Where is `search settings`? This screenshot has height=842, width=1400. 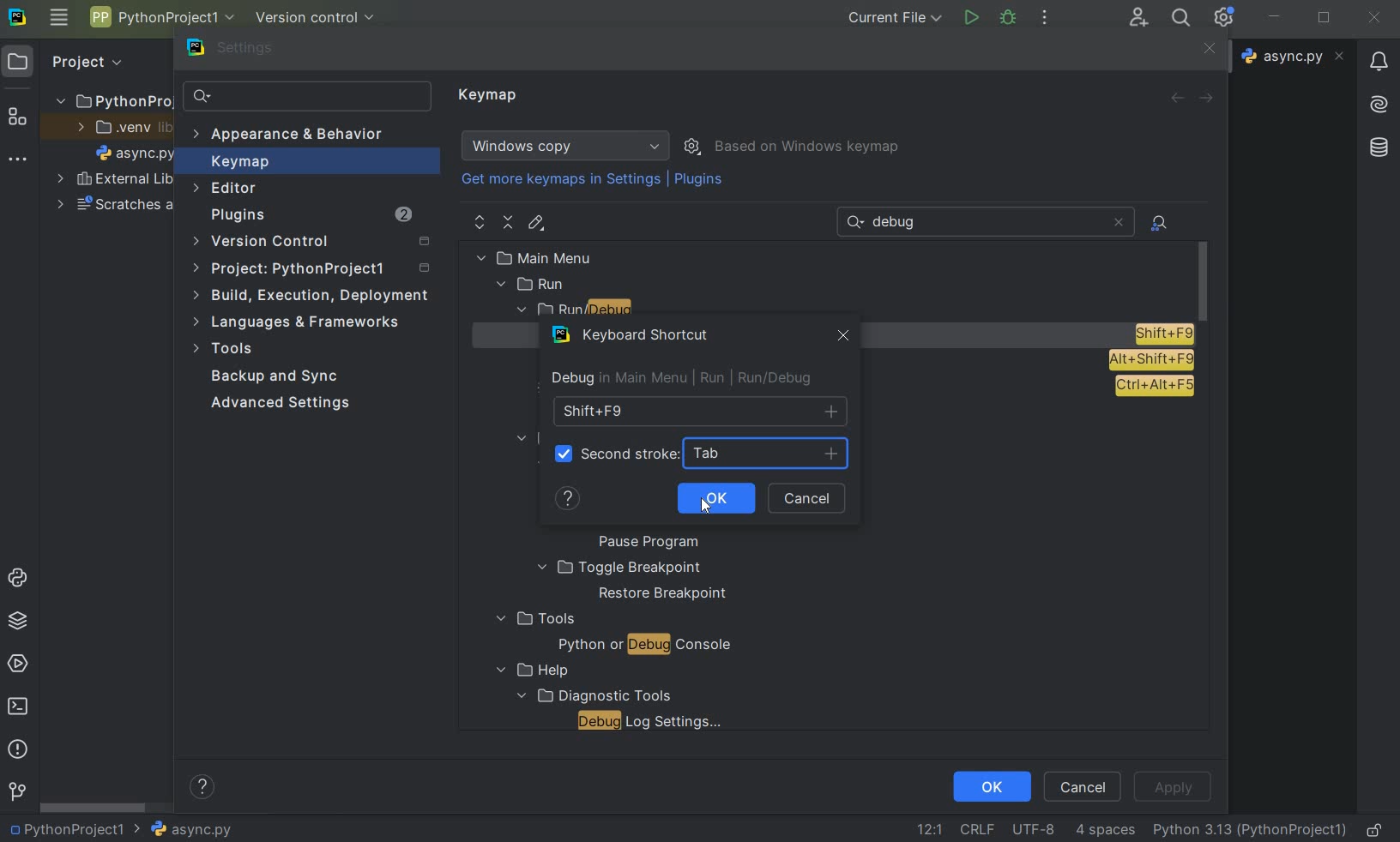 search settings is located at coordinates (308, 97).